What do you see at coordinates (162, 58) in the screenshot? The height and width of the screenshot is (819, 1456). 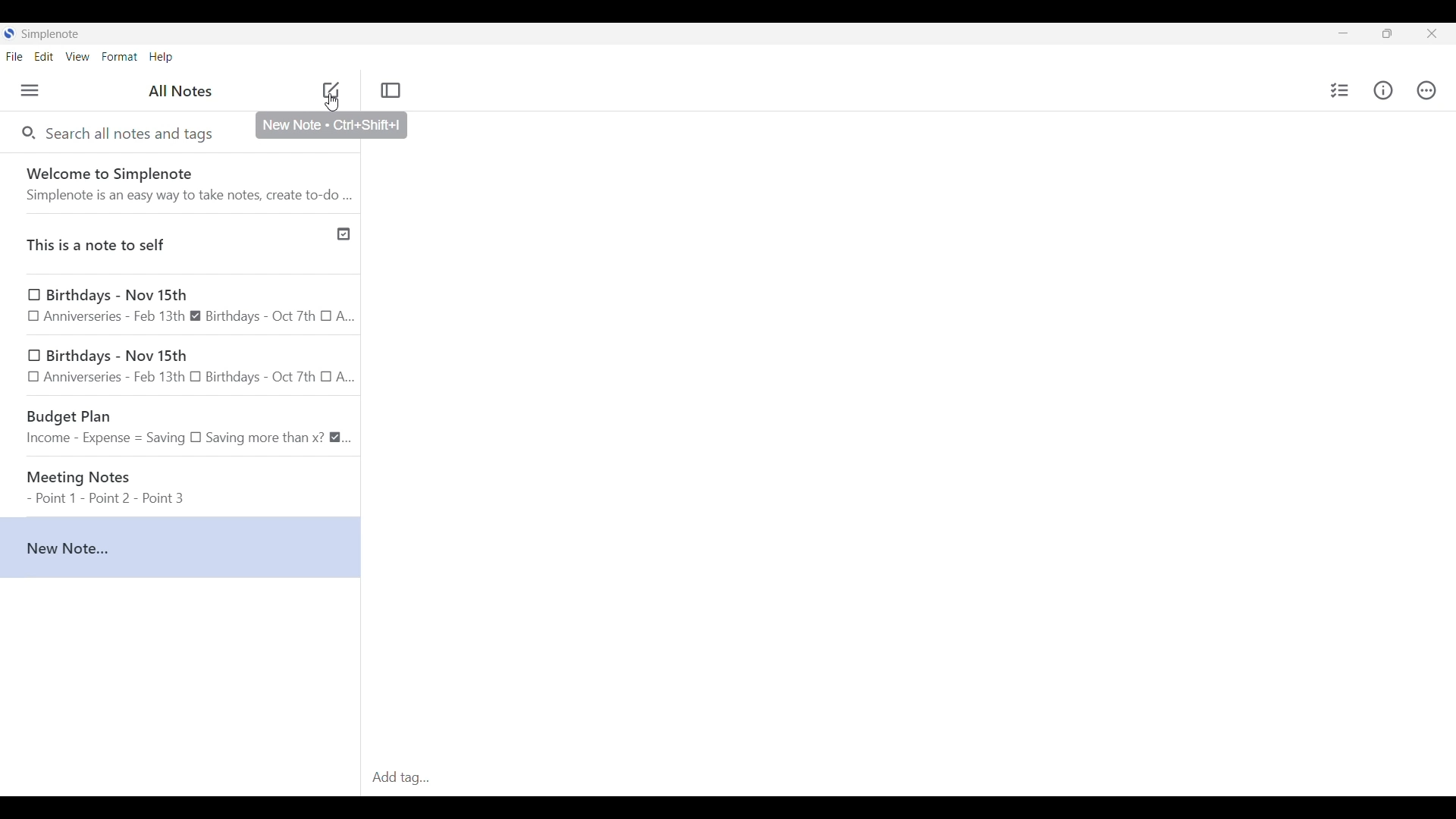 I see `Help menu` at bounding box center [162, 58].